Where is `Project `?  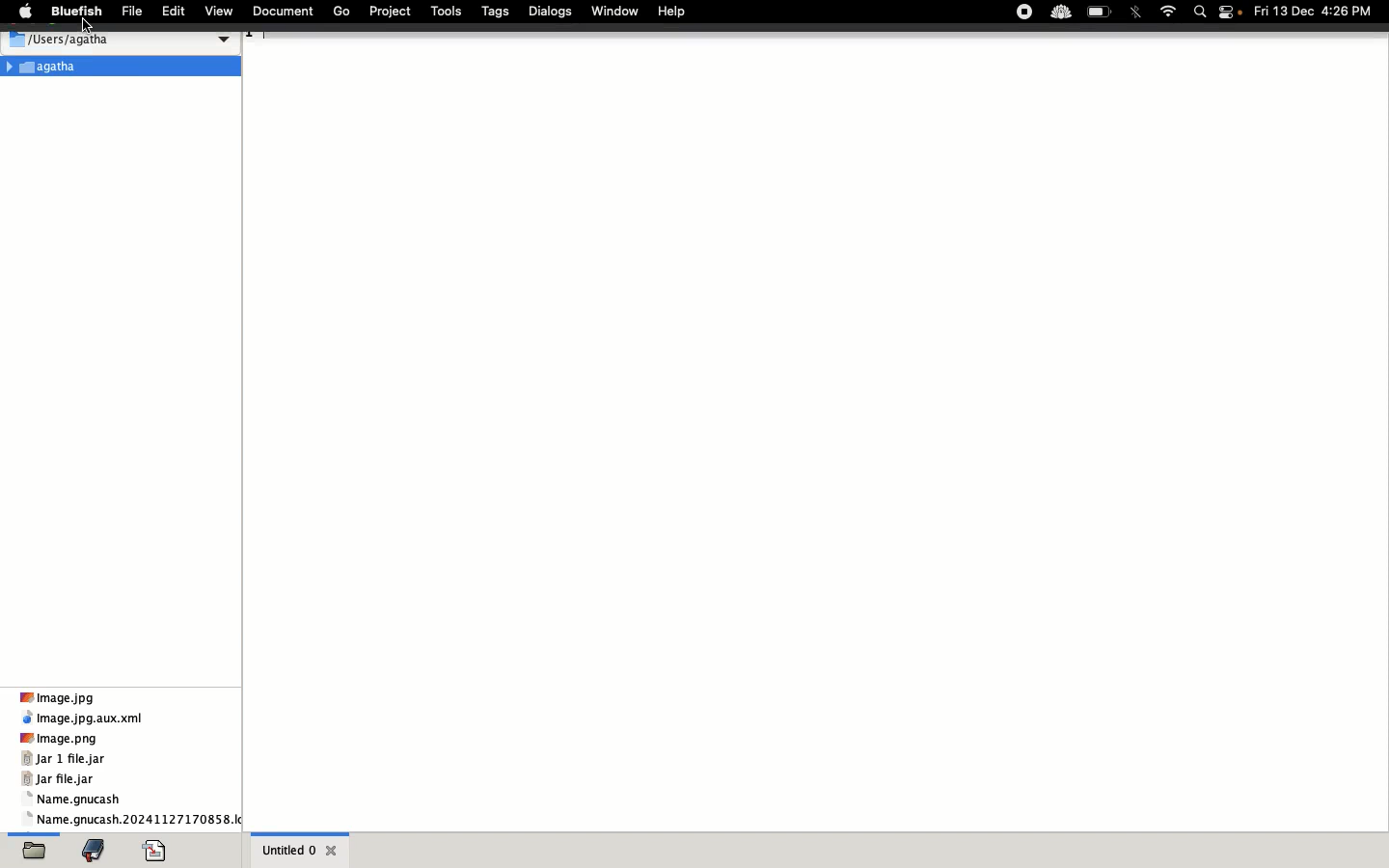 Project  is located at coordinates (392, 13).